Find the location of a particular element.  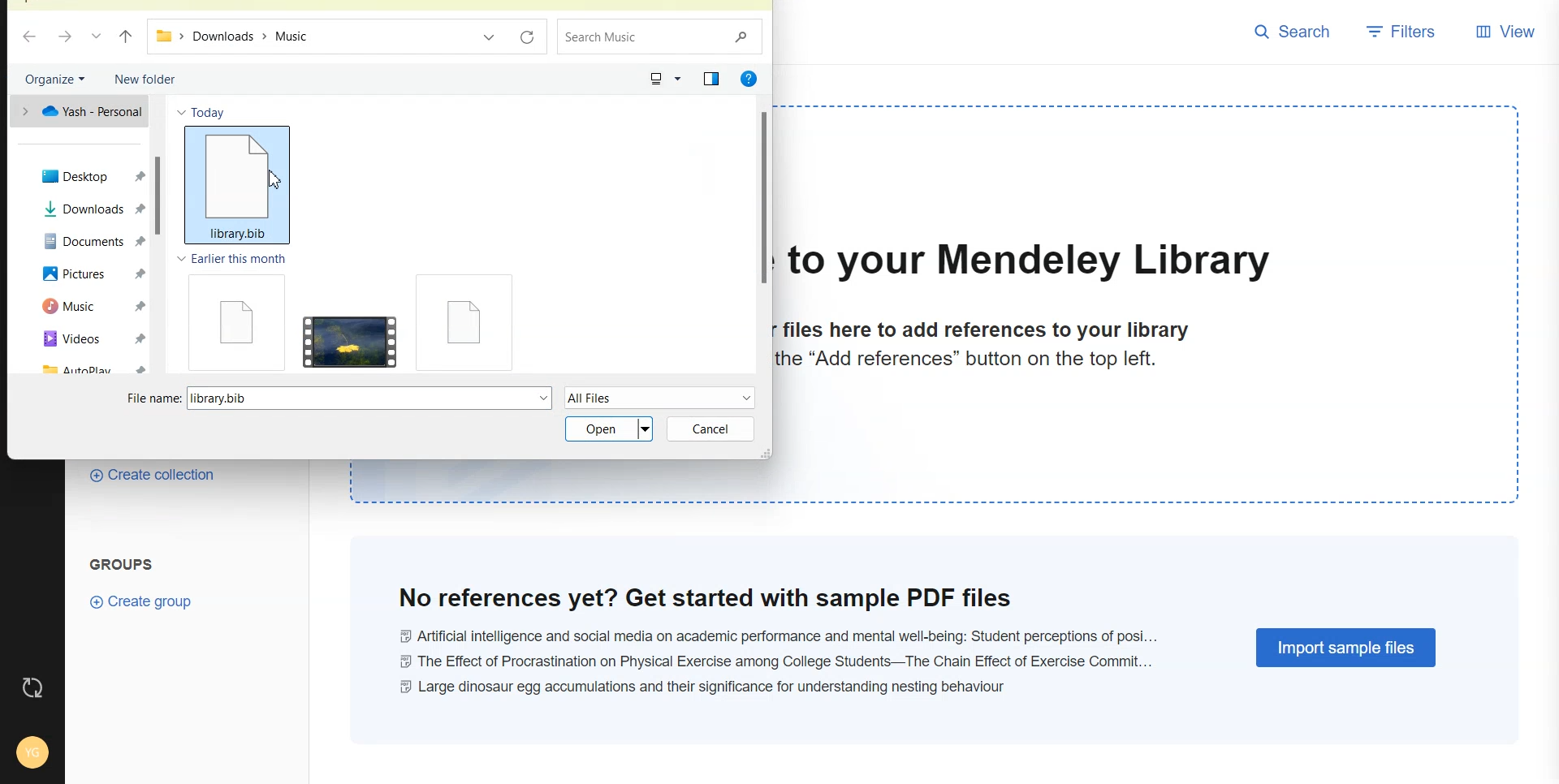

Recent file is located at coordinates (491, 39).